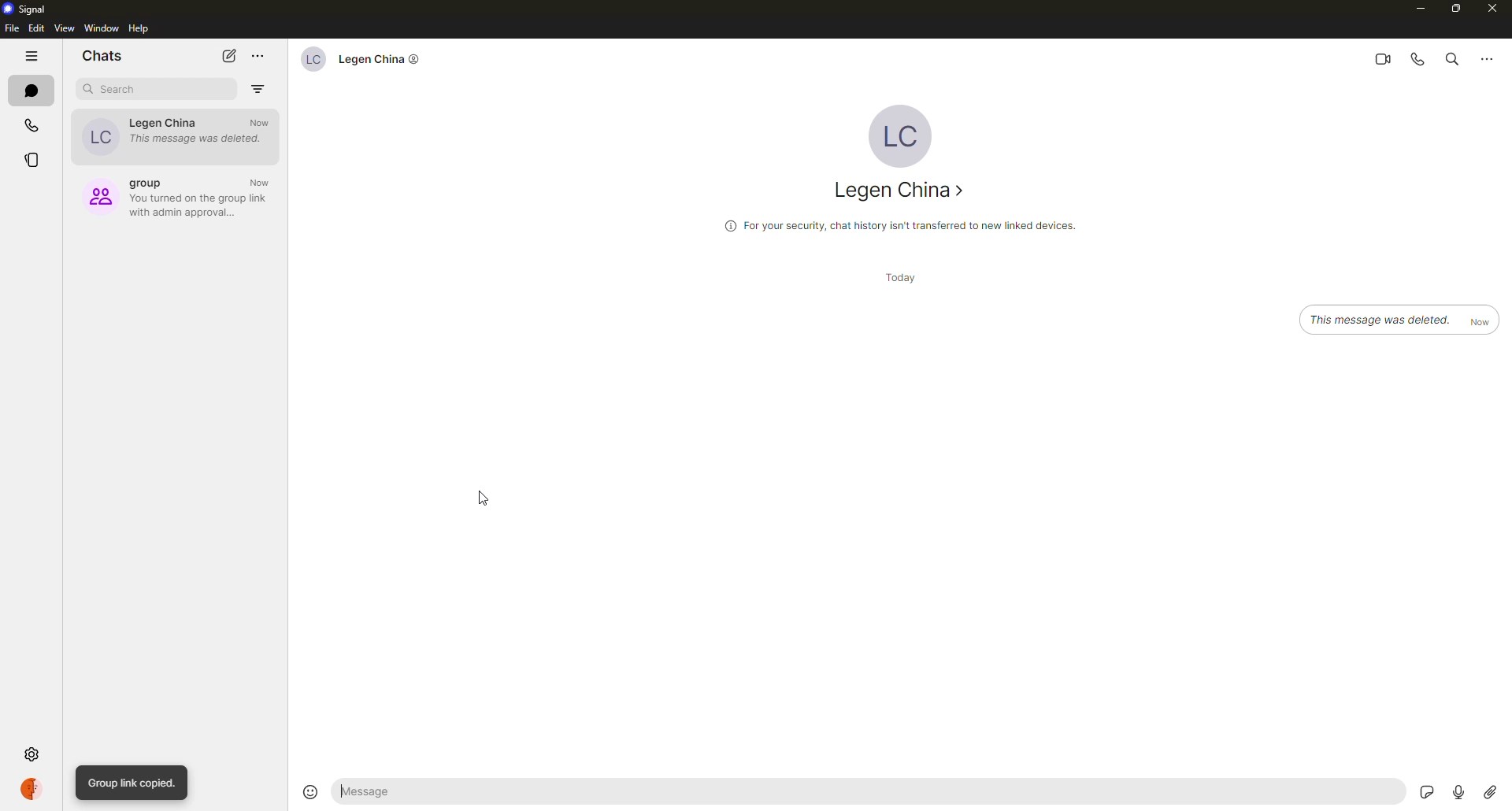 This screenshot has height=811, width=1512. What do you see at coordinates (898, 278) in the screenshot?
I see `day` at bounding box center [898, 278].